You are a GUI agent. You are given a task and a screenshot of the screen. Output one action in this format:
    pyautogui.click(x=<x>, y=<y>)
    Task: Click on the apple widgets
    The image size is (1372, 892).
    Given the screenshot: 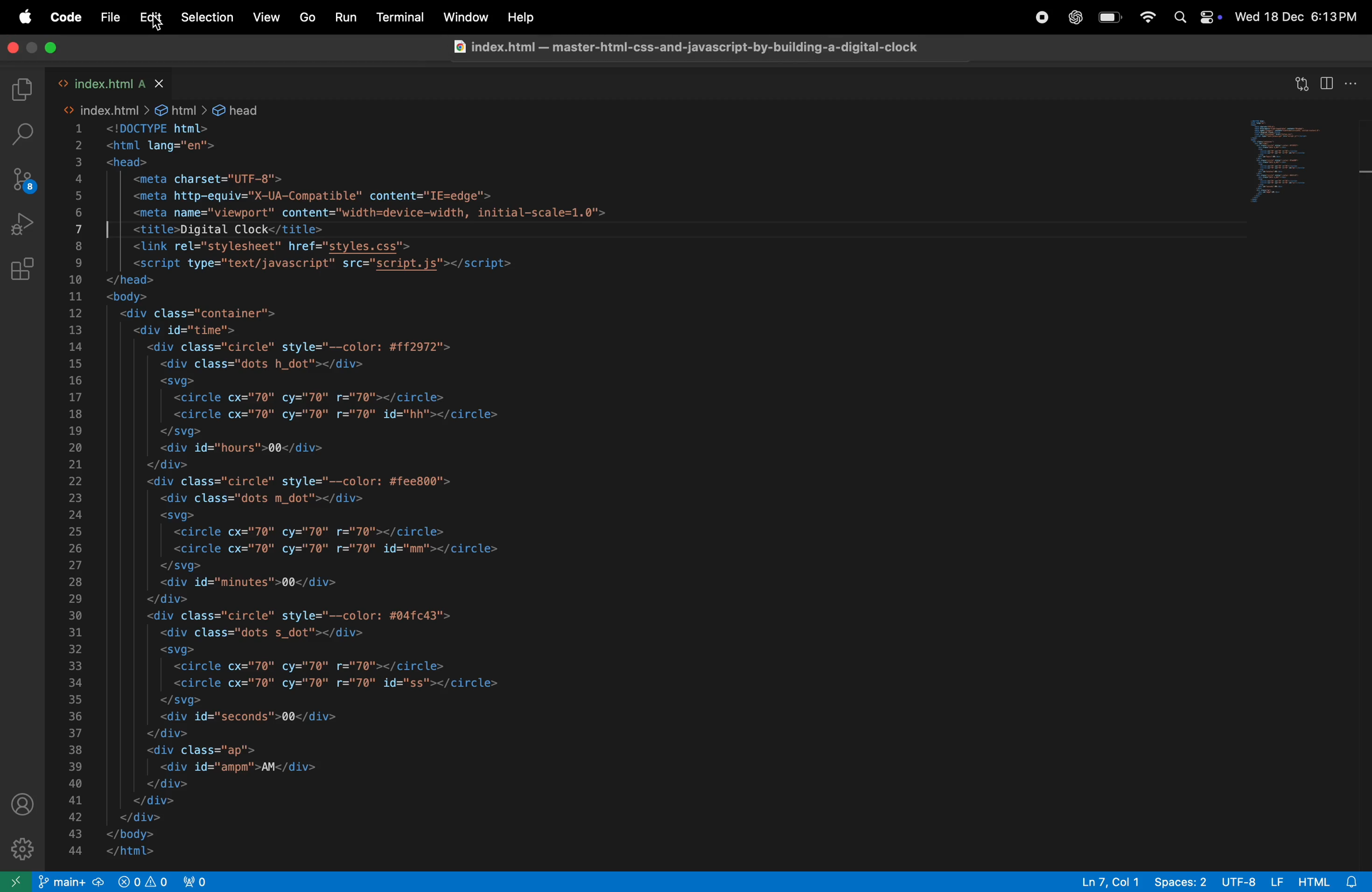 What is the action you would take?
    pyautogui.click(x=1198, y=18)
    